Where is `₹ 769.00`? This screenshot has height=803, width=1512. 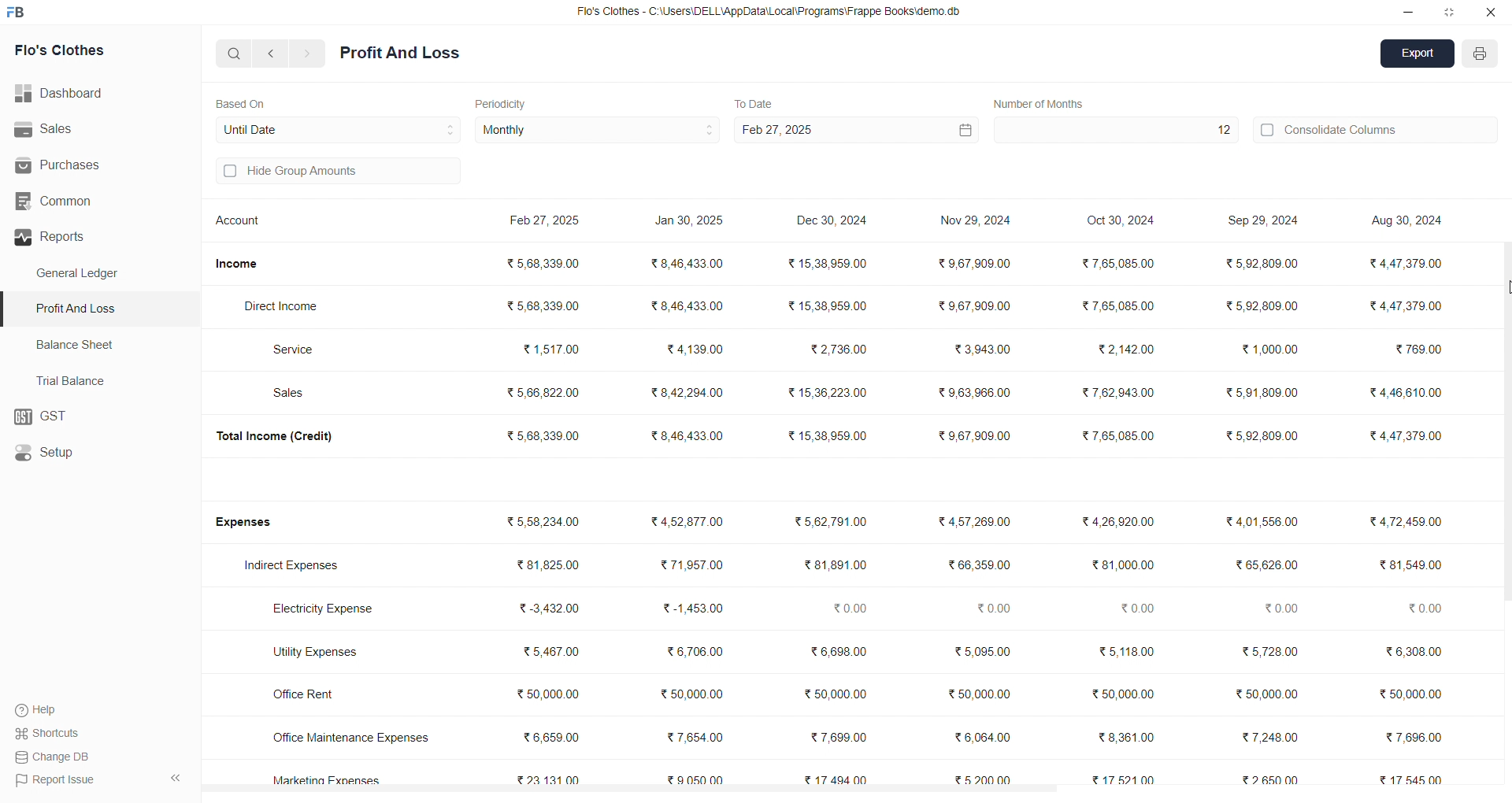 ₹ 769.00 is located at coordinates (1417, 350).